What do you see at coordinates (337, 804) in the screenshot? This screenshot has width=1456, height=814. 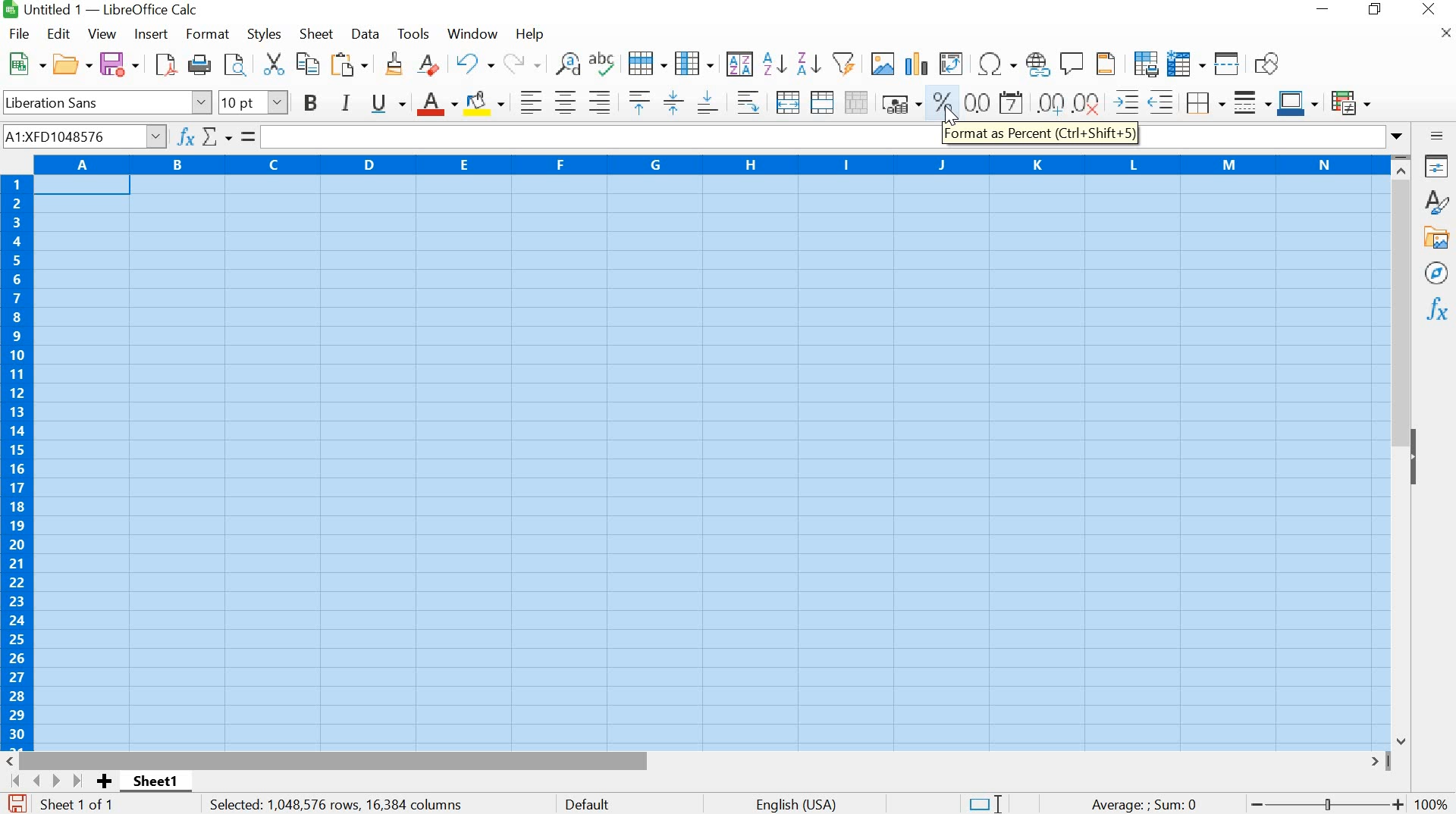 I see `Selected: 1,048,576 rows, 16,384 columns` at bounding box center [337, 804].